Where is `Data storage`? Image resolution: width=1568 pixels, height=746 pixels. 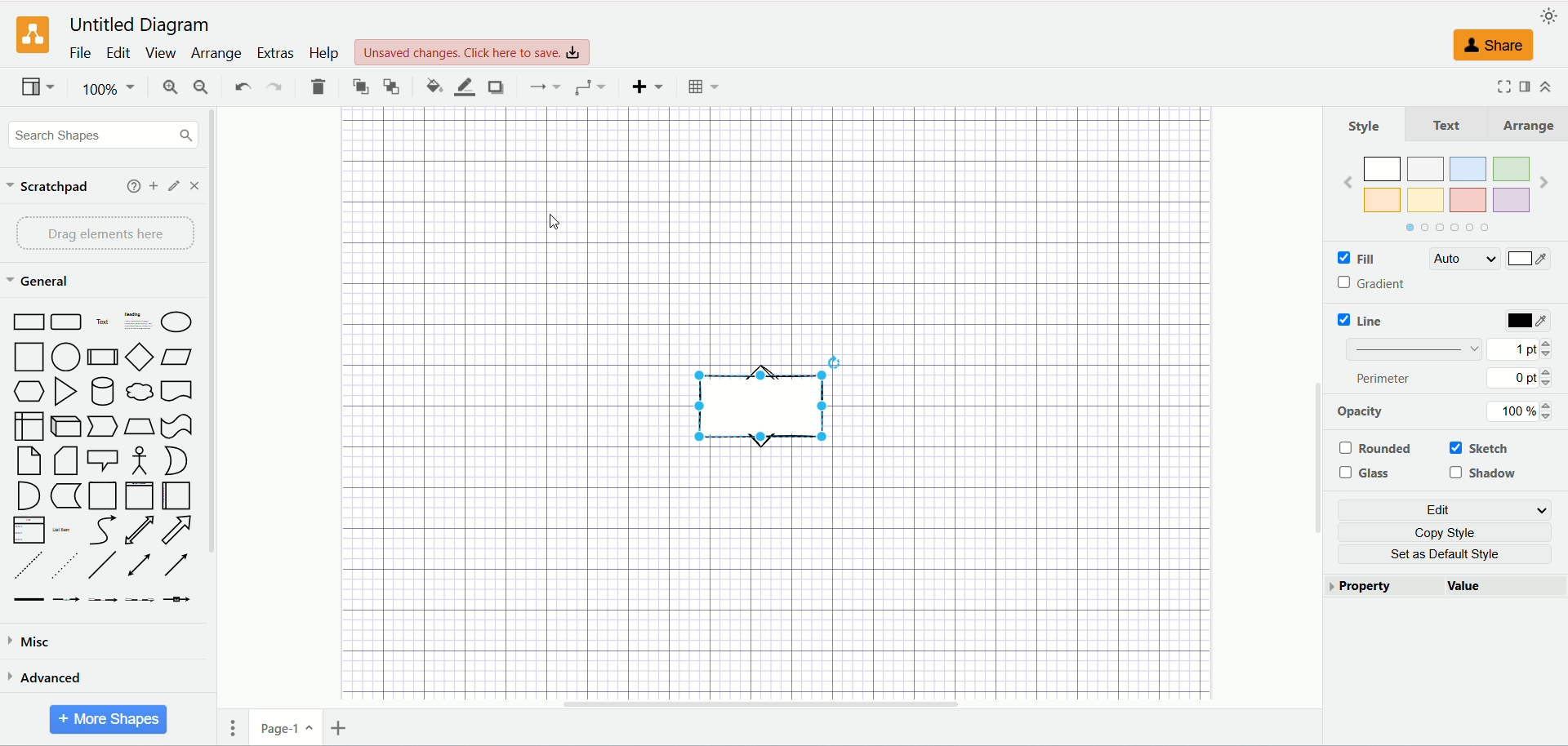 Data storage is located at coordinates (65, 498).